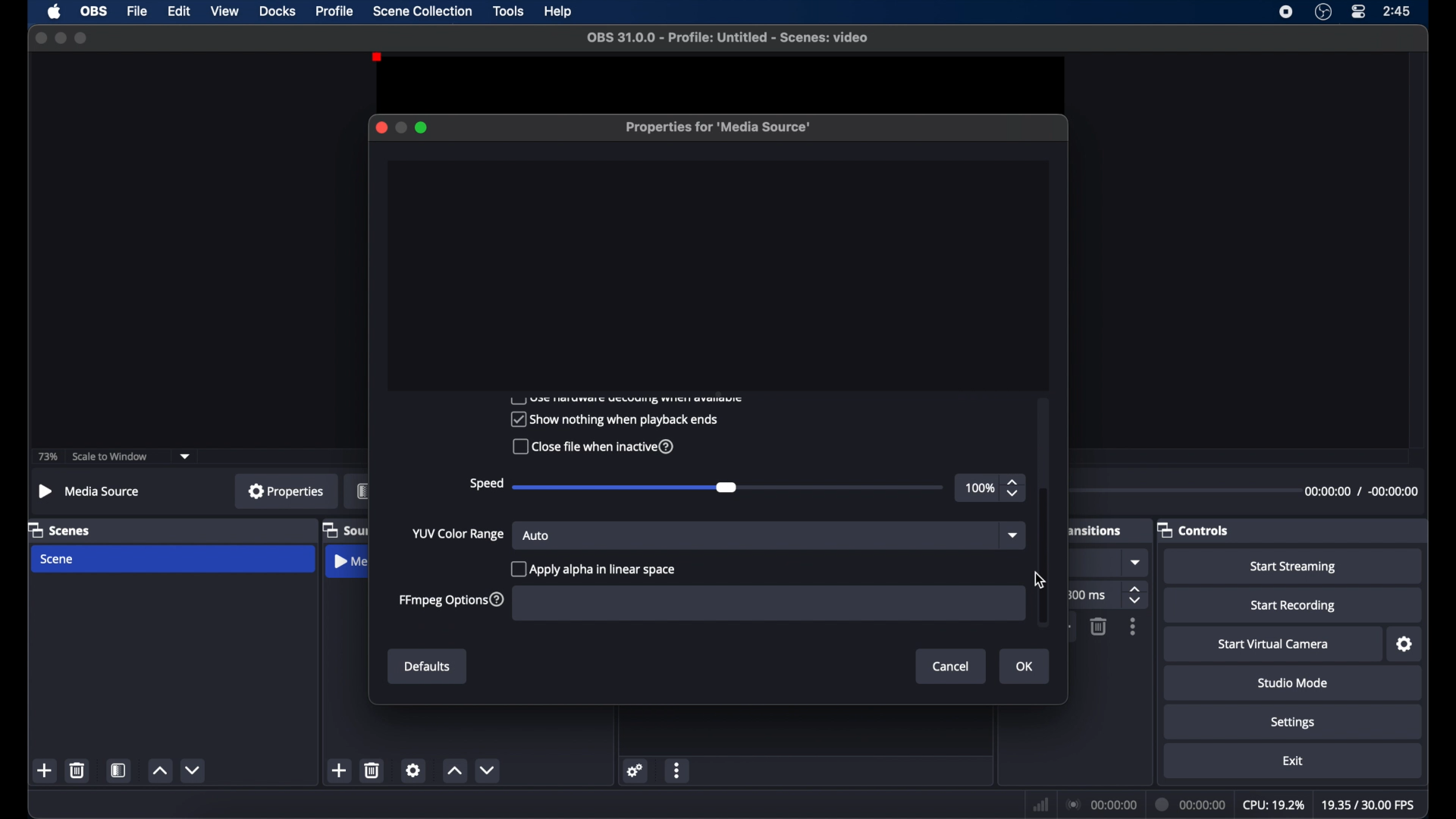 The height and width of the screenshot is (819, 1456). Describe the element at coordinates (1293, 682) in the screenshot. I see `studio mode` at that location.